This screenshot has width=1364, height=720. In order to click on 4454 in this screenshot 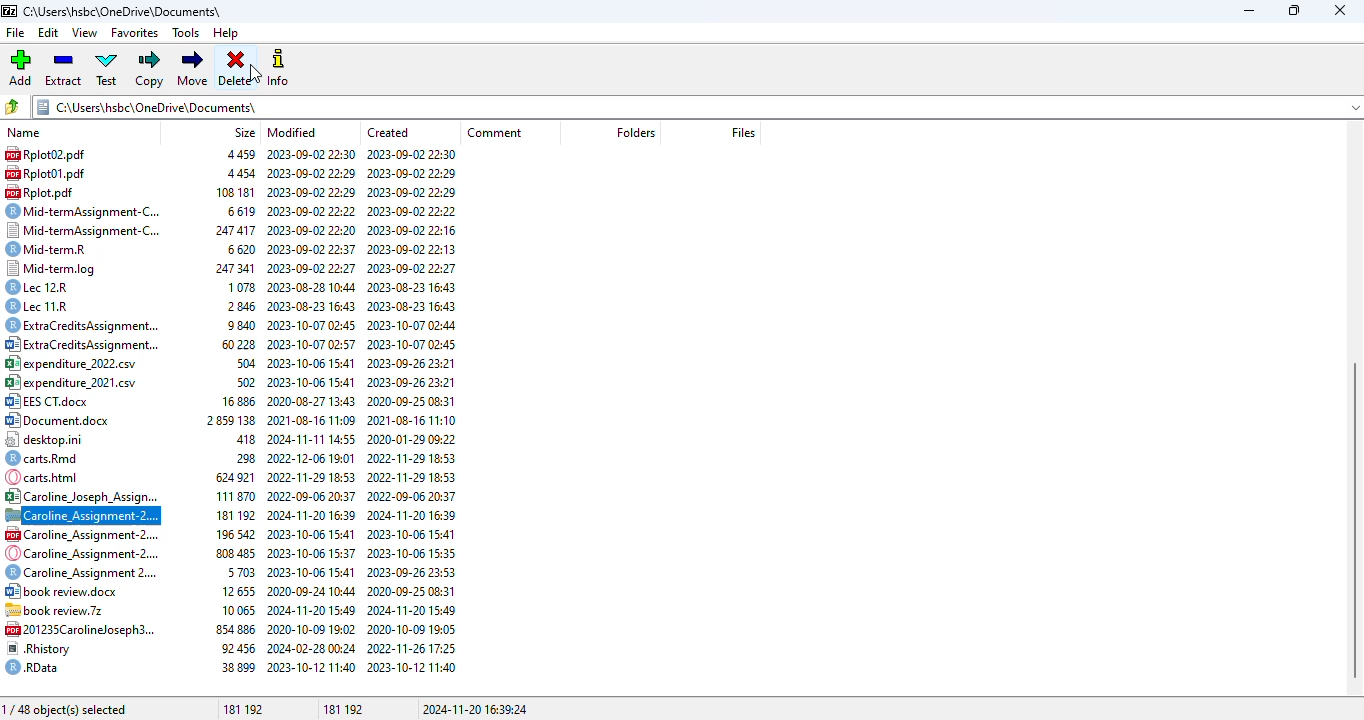, I will do `click(237, 173)`.